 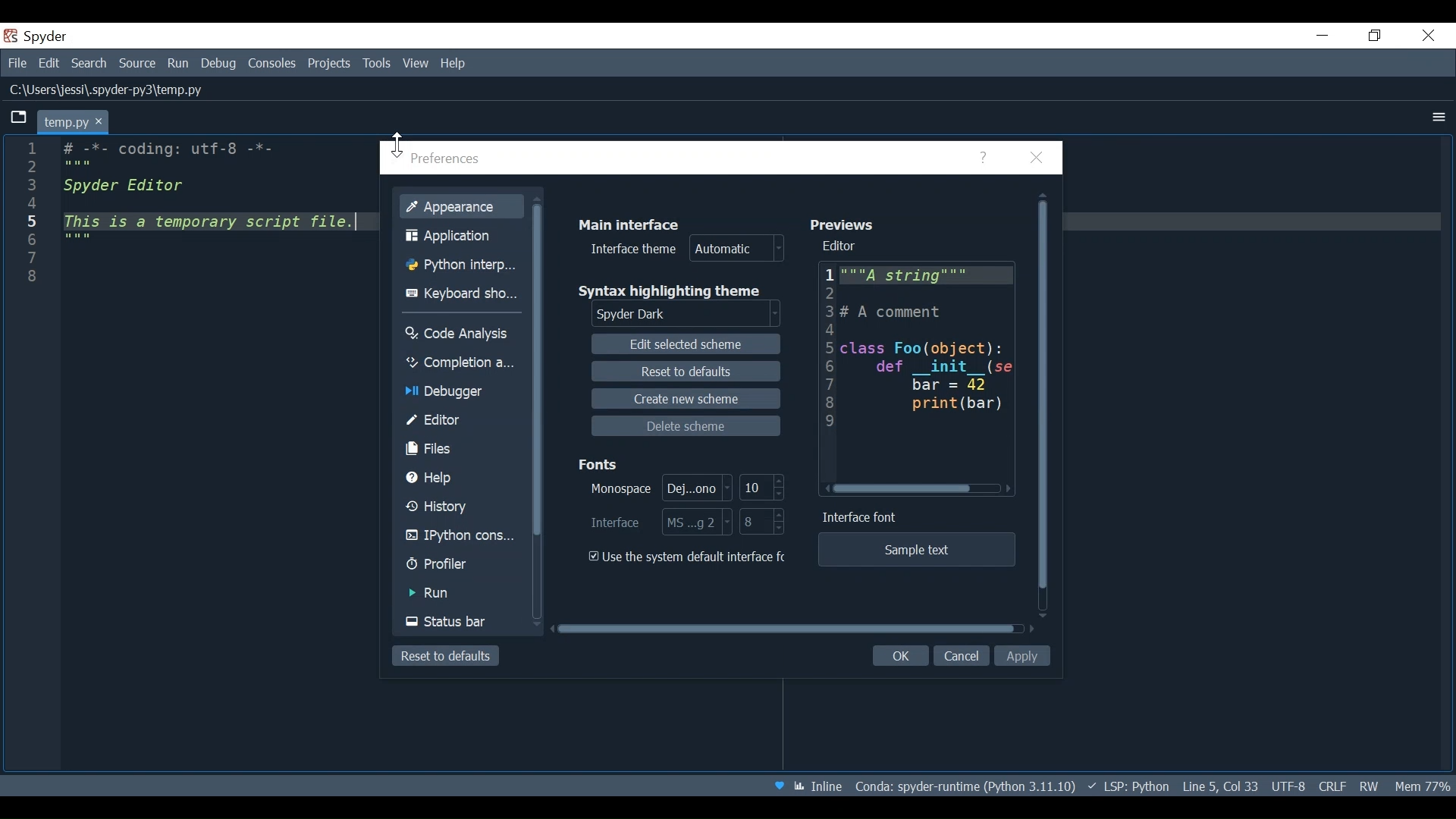 I want to click on Profiler, so click(x=461, y=564).